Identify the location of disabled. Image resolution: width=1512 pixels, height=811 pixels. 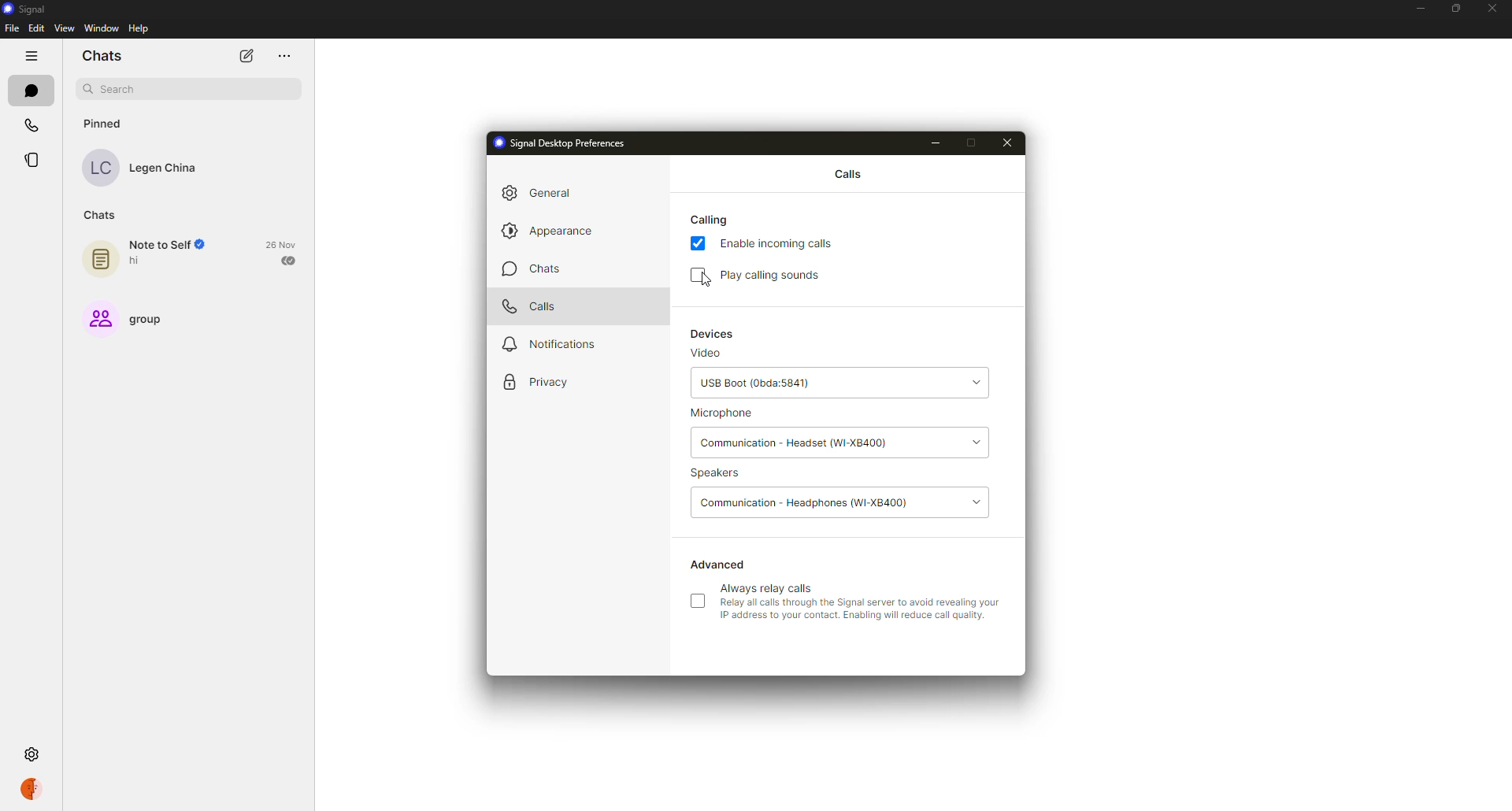
(700, 275).